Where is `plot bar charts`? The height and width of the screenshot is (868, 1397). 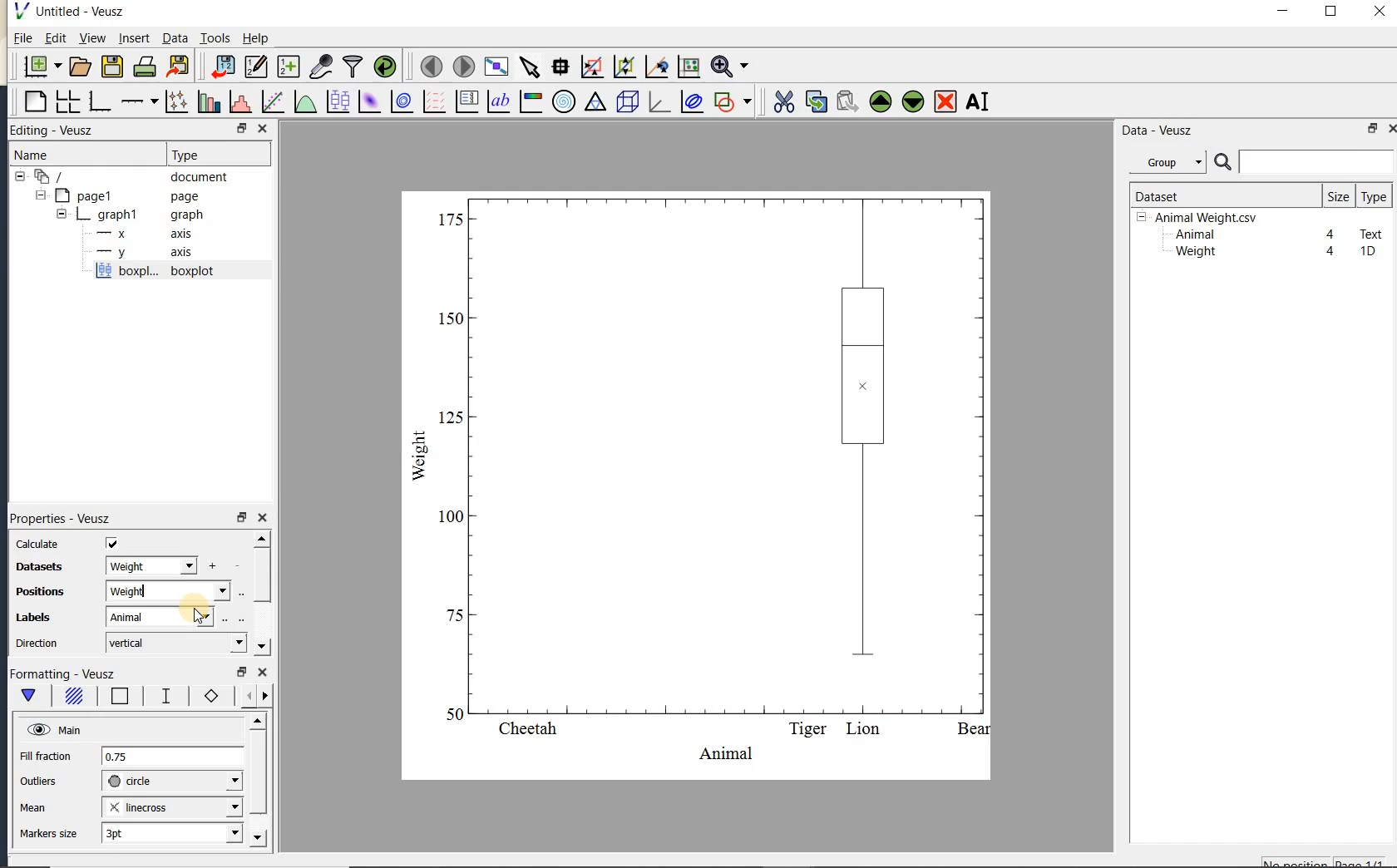
plot bar charts is located at coordinates (209, 101).